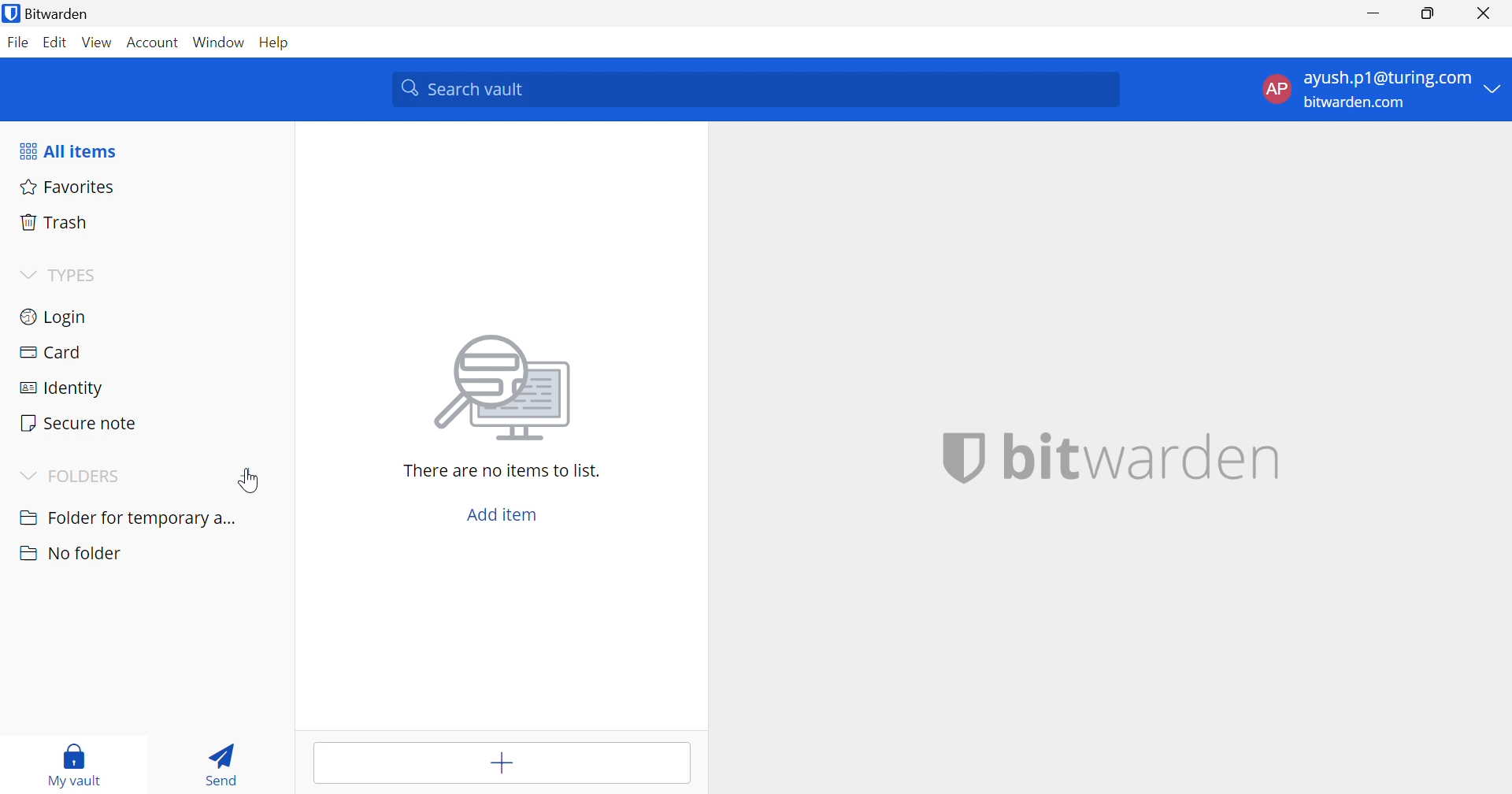 Image resolution: width=1512 pixels, height=794 pixels. I want to click on bitwarden logo, so click(954, 458).